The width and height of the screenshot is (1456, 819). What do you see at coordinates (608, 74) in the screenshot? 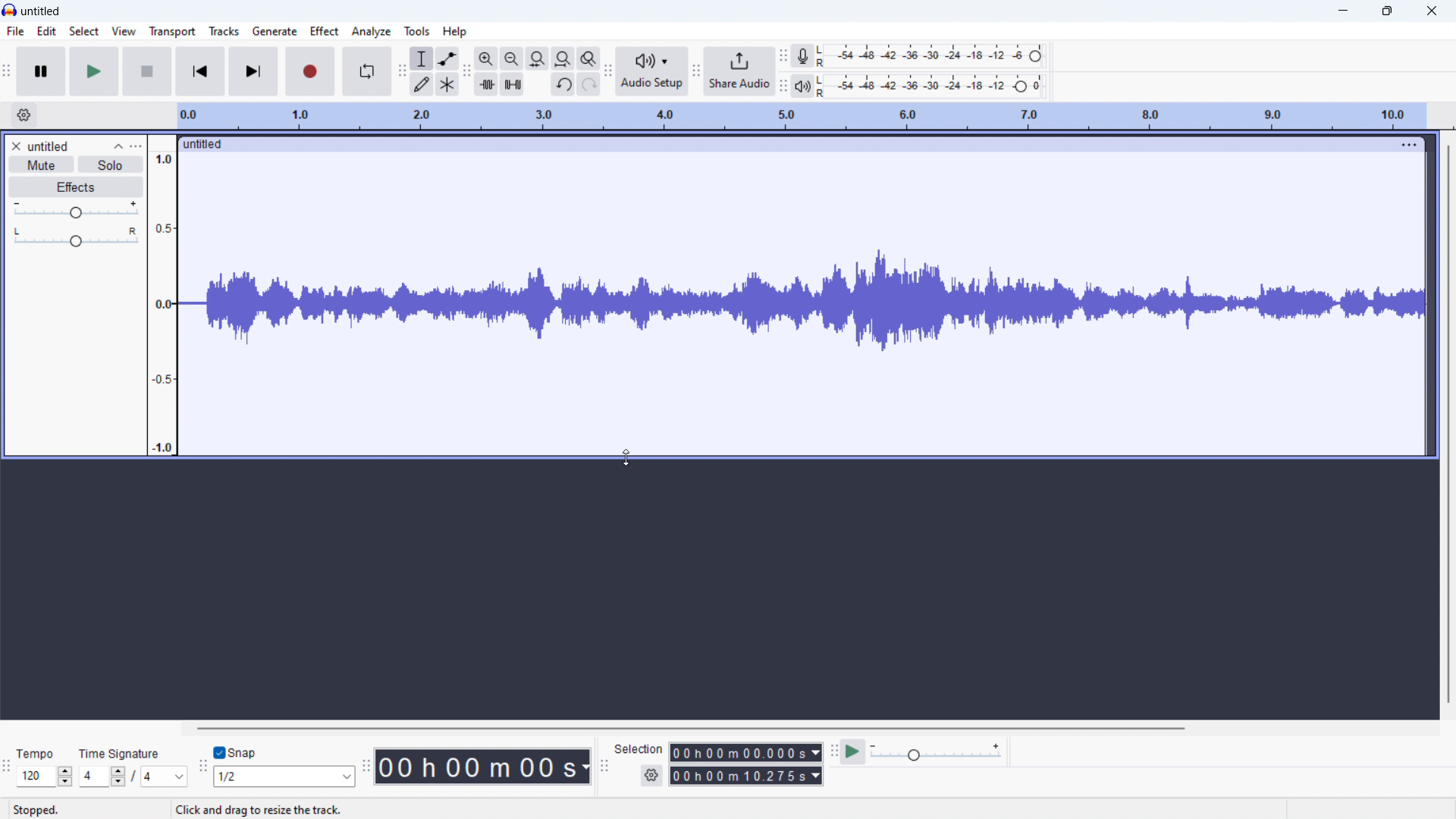
I see `share audio toolbar` at bounding box center [608, 74].